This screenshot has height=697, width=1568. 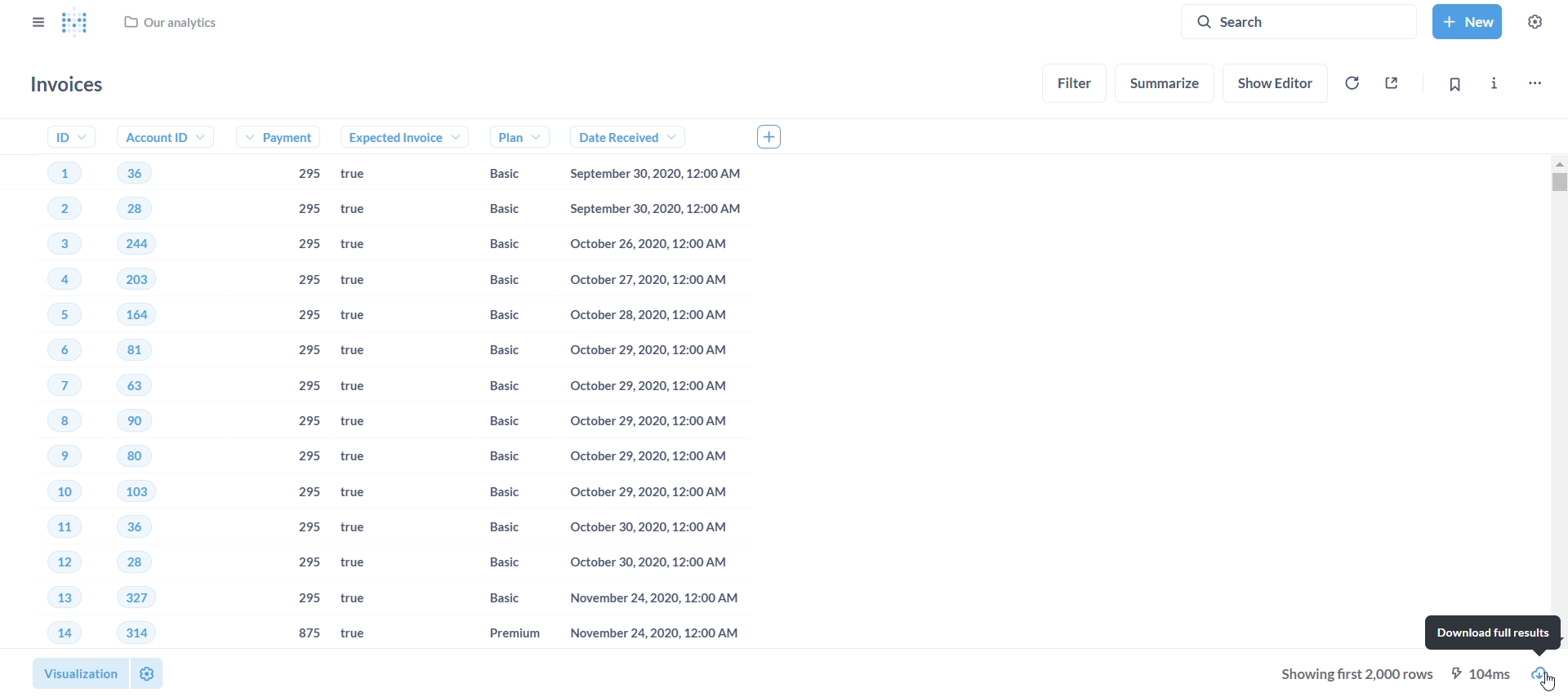 I want to click on 104MS, so click(x=1486, y=673).